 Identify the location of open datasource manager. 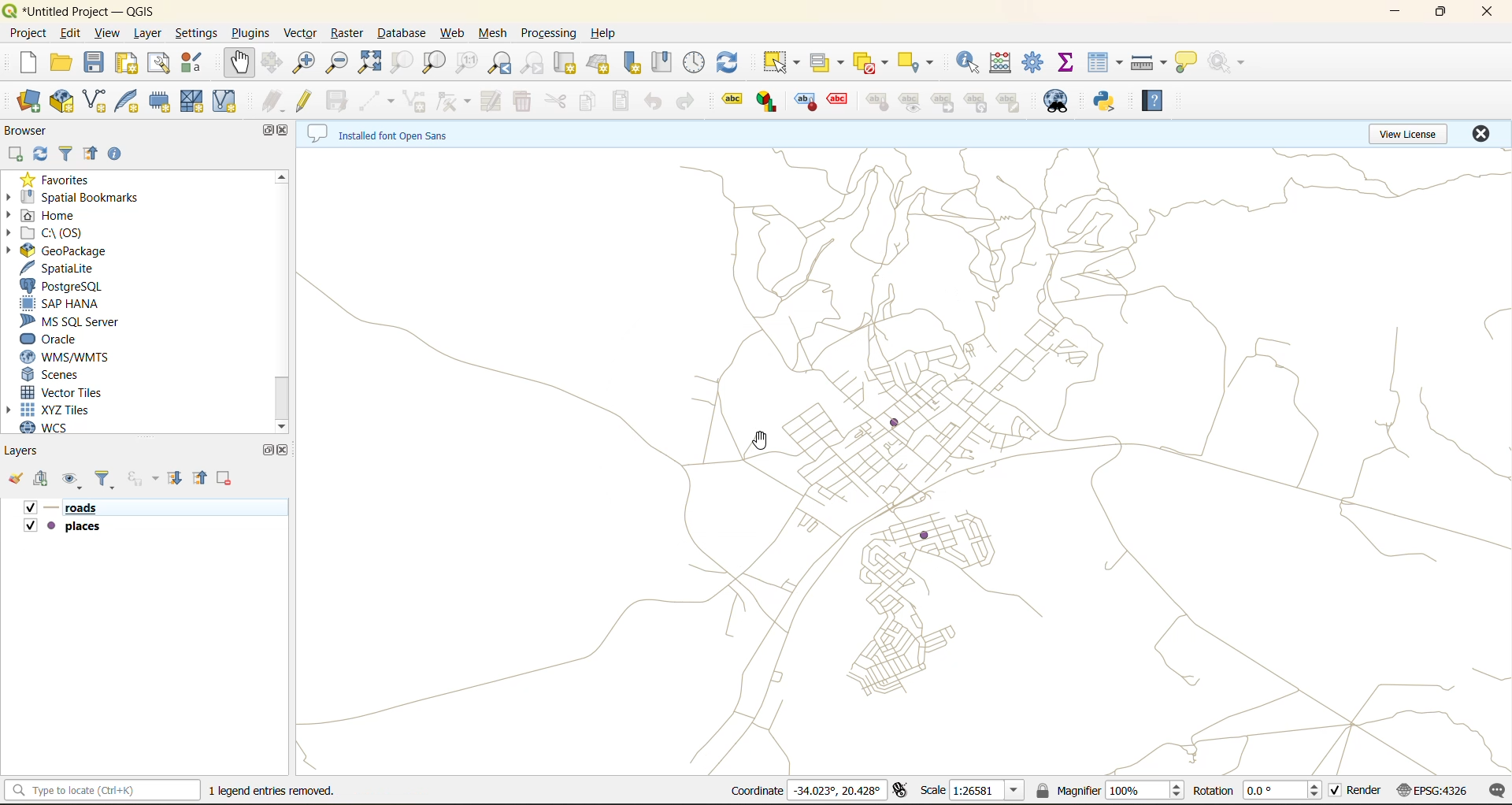
(28, 102).